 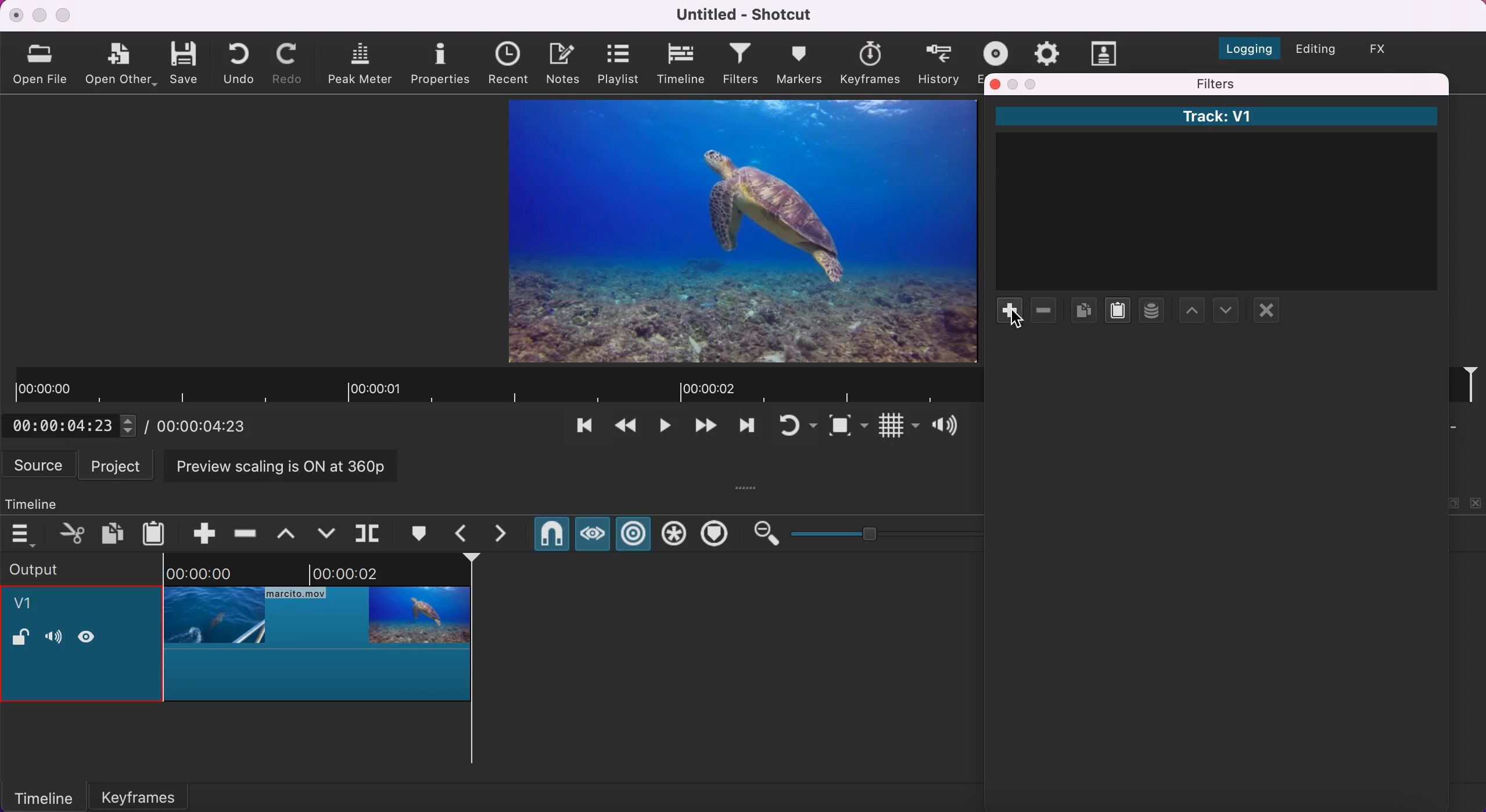 What do you see at coordinates (17, 15) in the screenshot?
I see `close` at bounding box center [17, 15].